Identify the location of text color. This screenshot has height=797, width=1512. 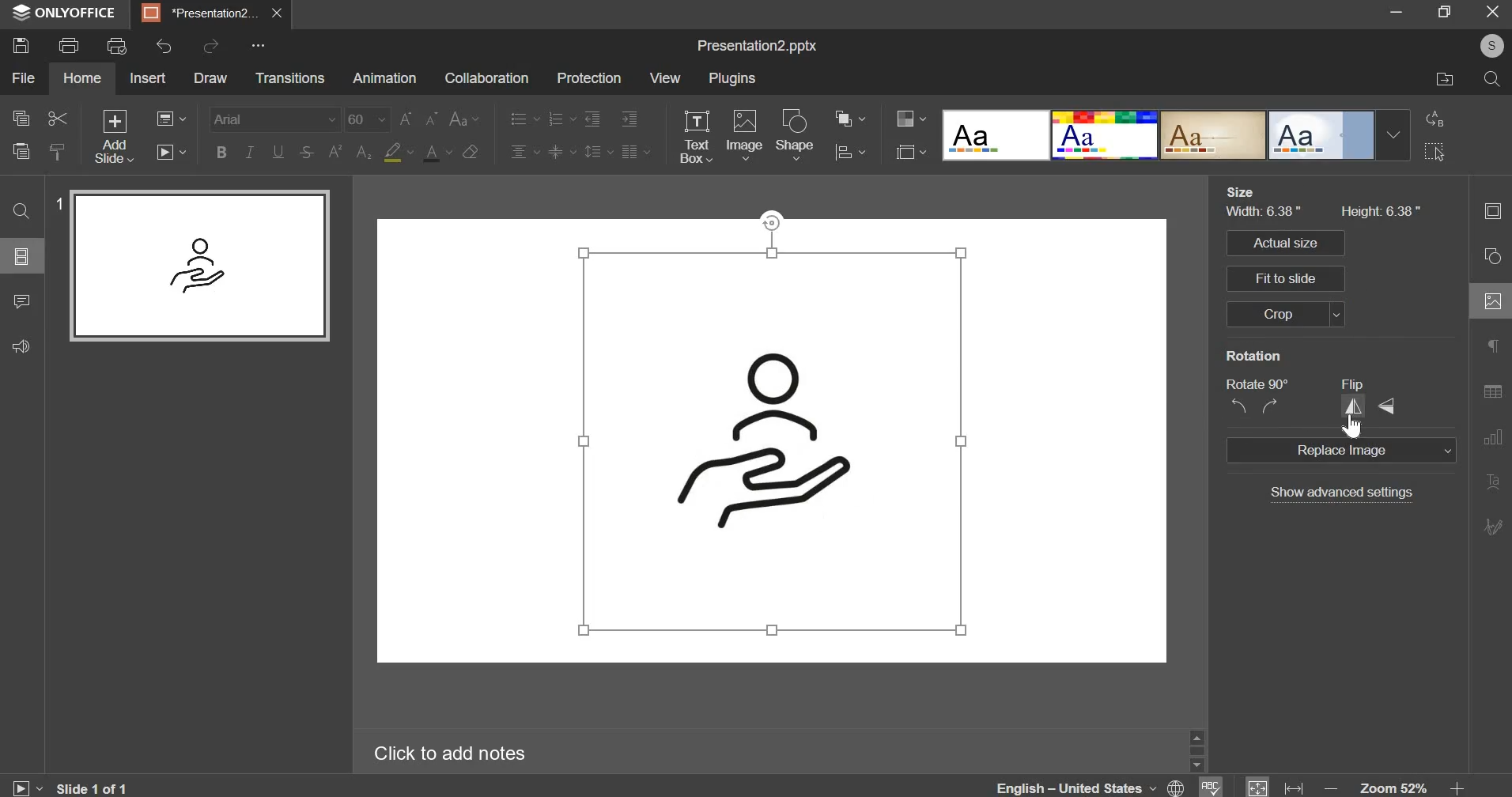
(437, 153).